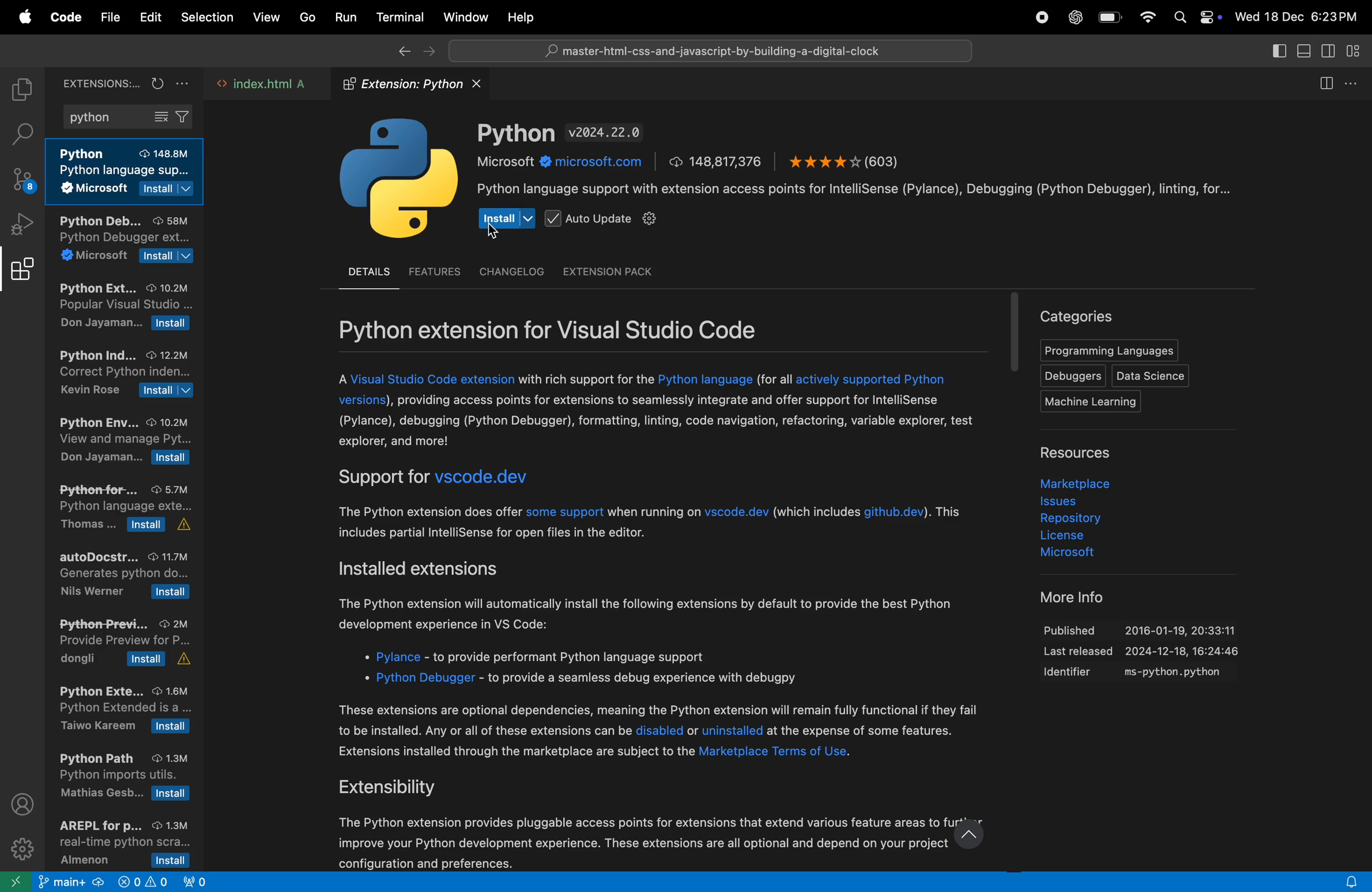 This screenshot has height=892, width=1372. What do you see at coordinates (119, 842) in the screenshot?
I see `arpel extension` at bounding box center [119, 842].